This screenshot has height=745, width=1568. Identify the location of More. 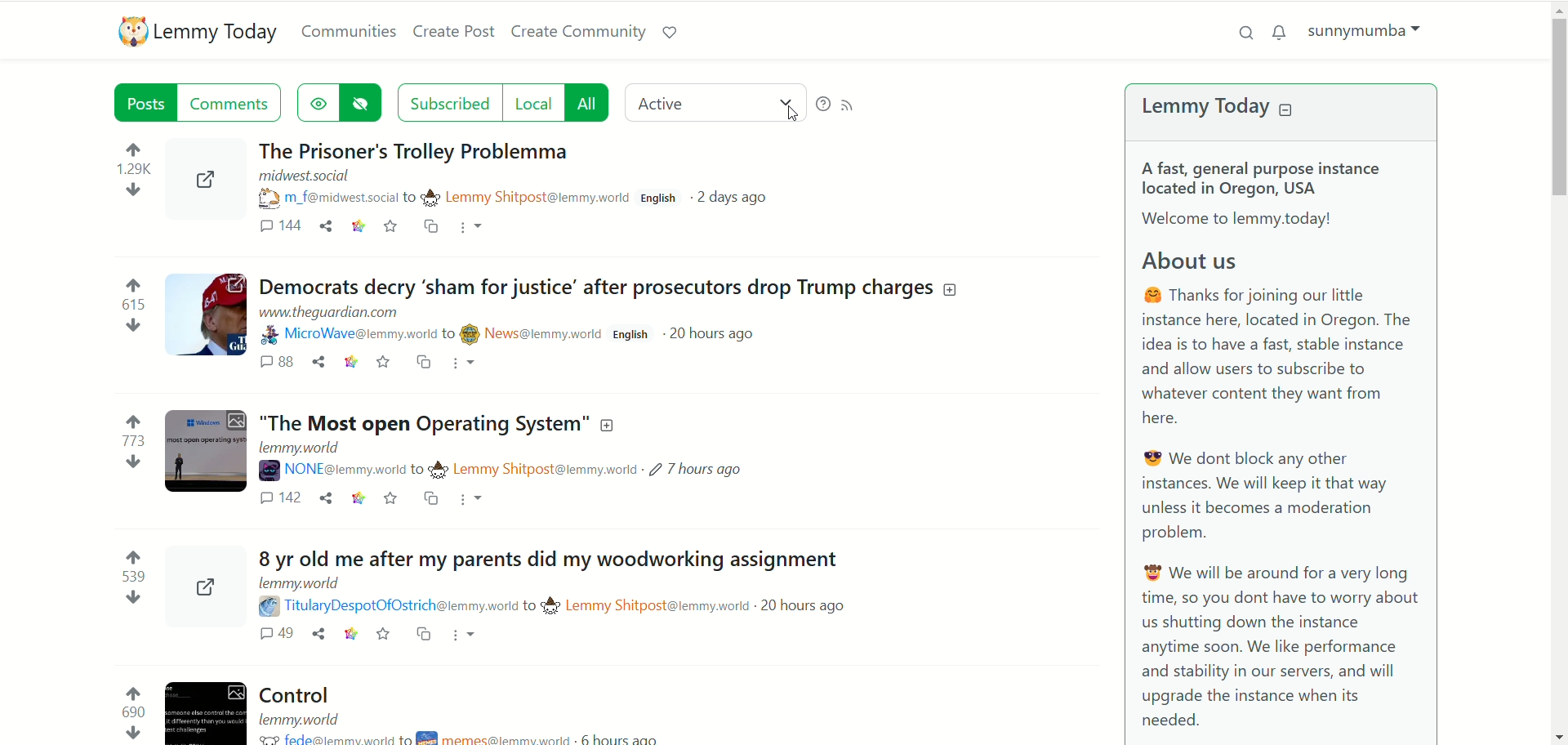
(474, 500).